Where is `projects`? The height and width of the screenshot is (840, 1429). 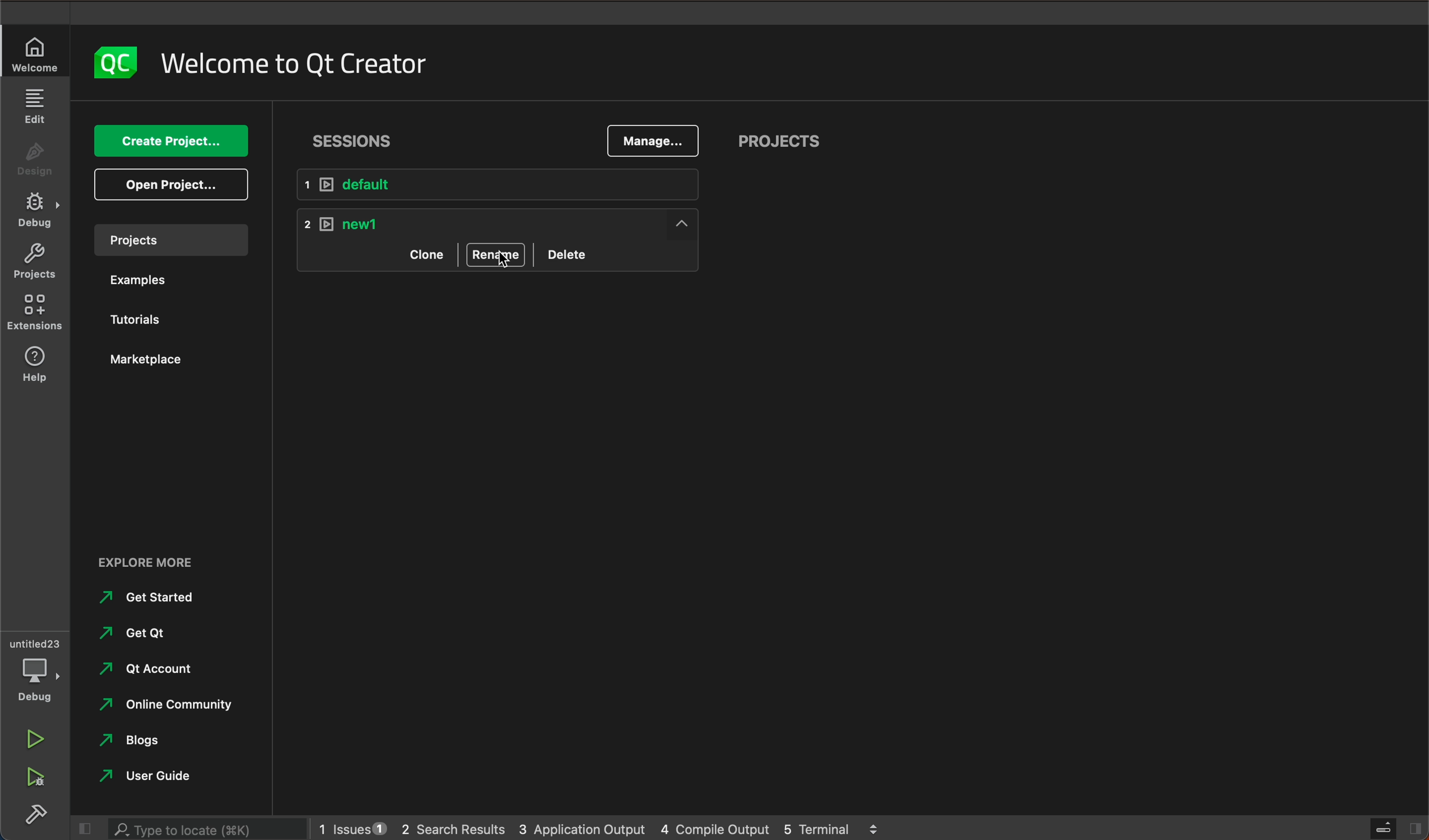 projects is located at coordinates (167, 239).